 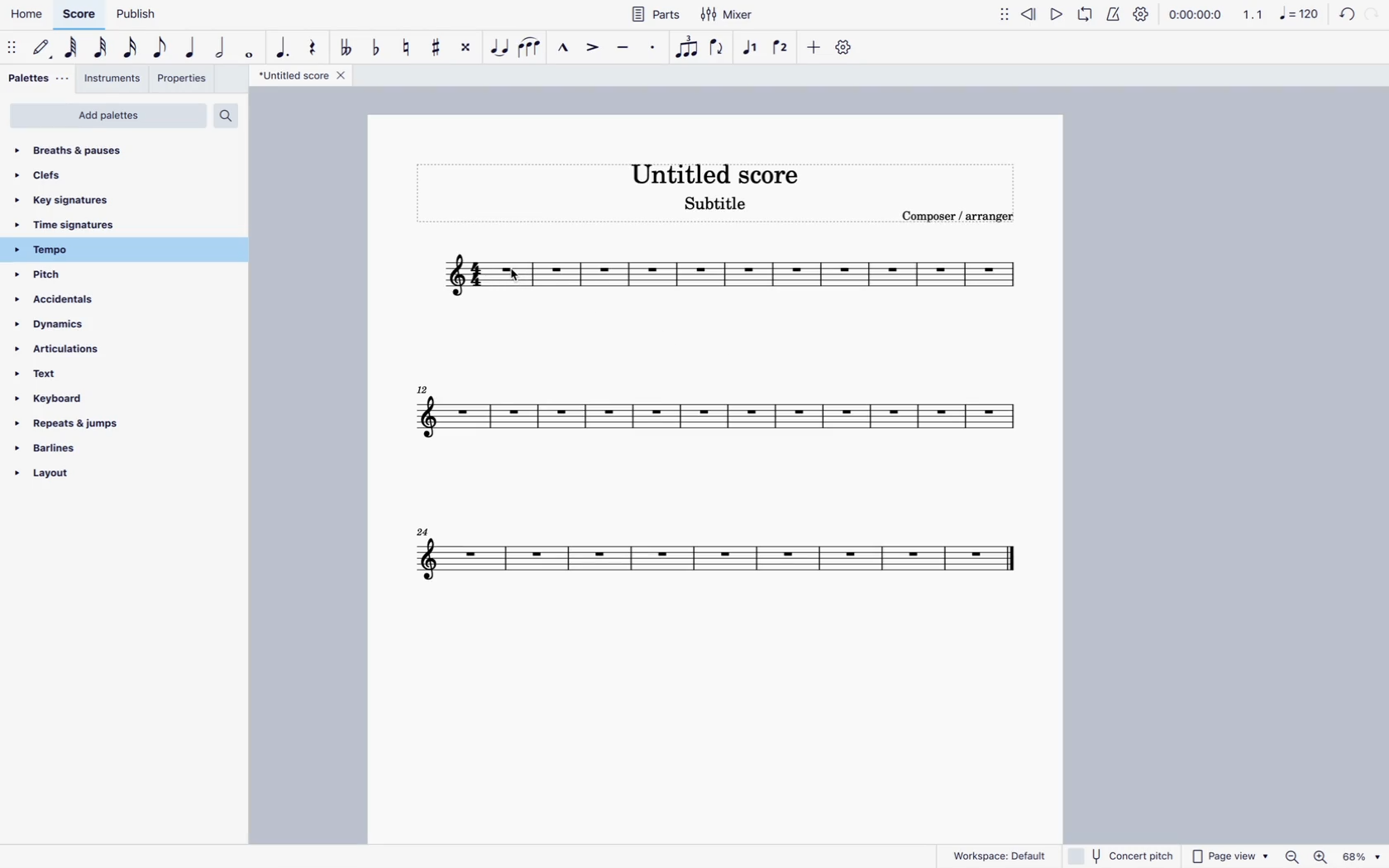 What do you see at coordinates (316, 48) in the screenshot?
I see `rest` at bounding box center [316, 48].